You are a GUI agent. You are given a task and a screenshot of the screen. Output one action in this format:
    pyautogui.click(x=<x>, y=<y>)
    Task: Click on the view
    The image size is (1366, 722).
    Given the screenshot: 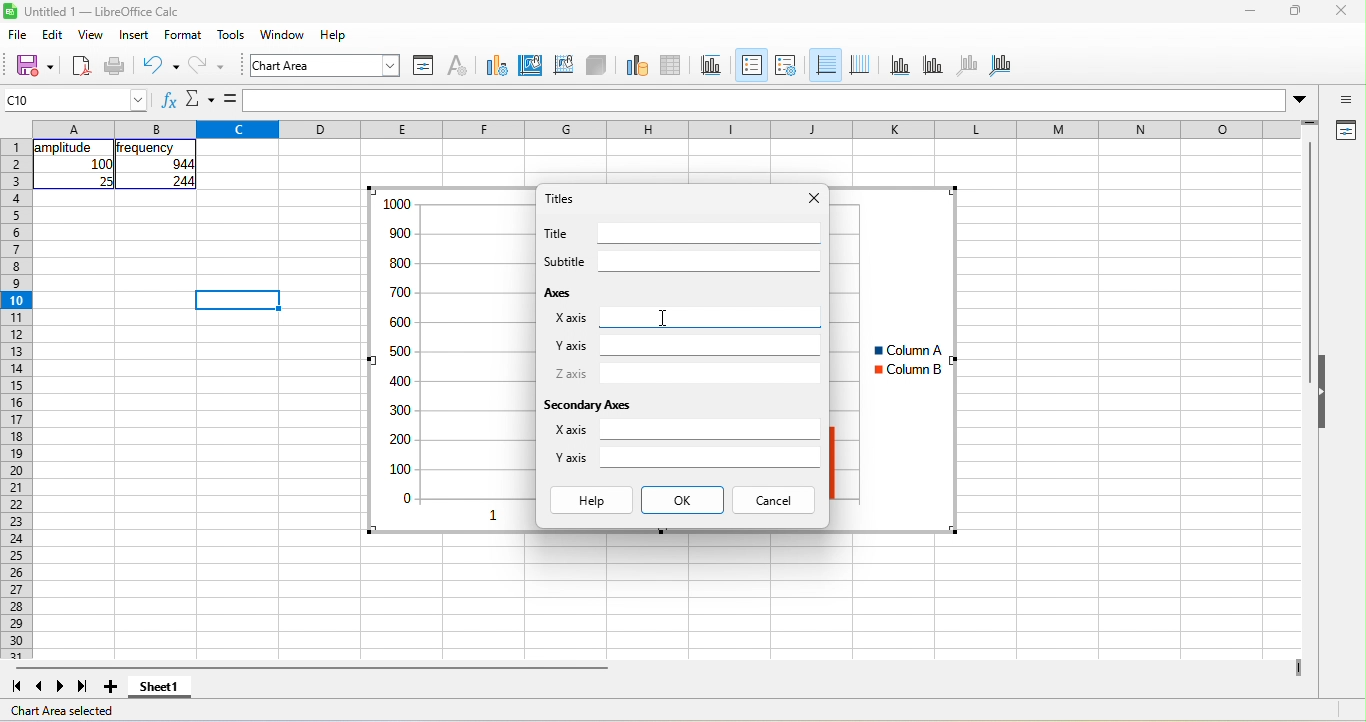 What is the action you would take?
    pyautogui.click(x=92, y=34)
    